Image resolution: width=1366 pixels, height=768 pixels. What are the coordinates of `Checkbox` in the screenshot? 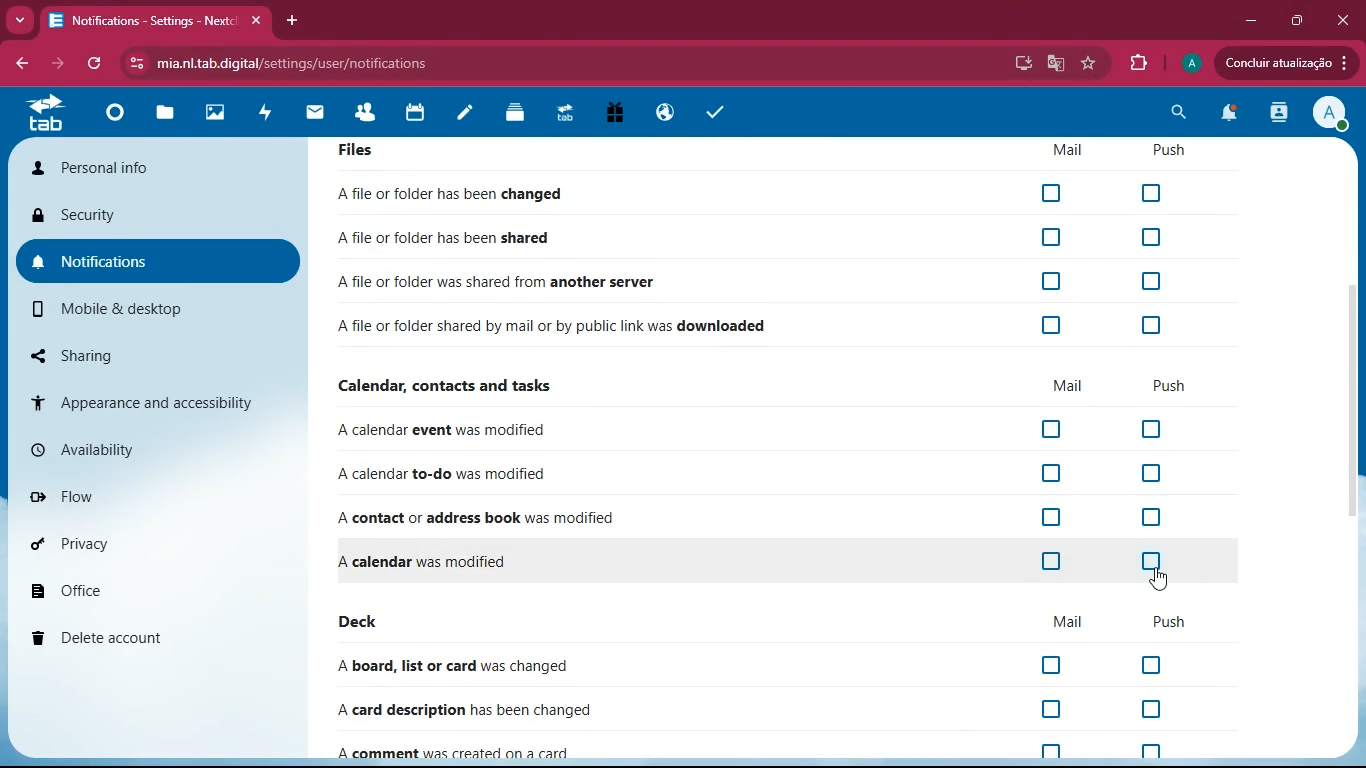 It's located at (1051, 193).